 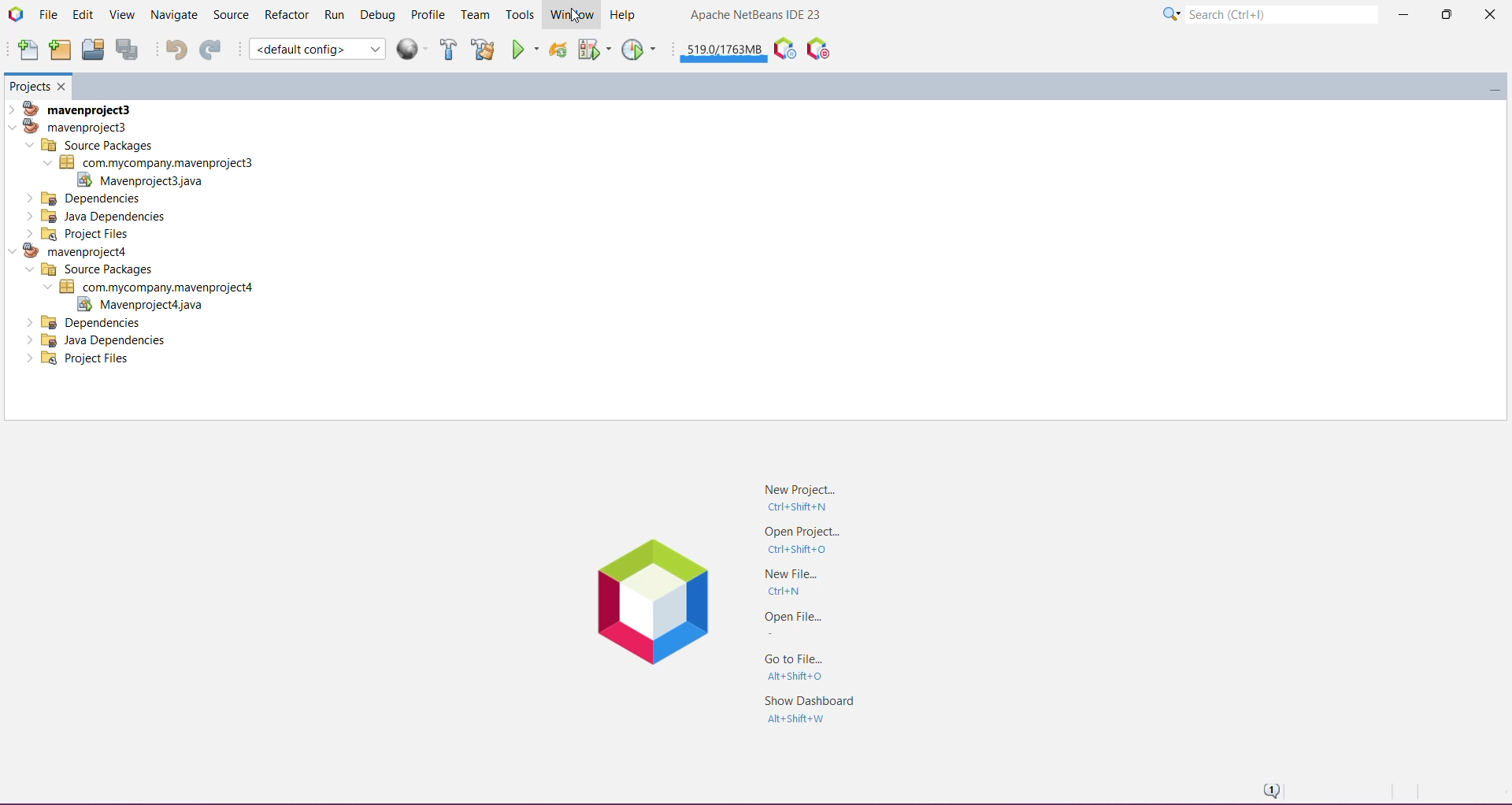 What do you see at coordinates (483, 49) in the screenshot?
I see `Clean and Build Project` at bounding box center [483, 49].